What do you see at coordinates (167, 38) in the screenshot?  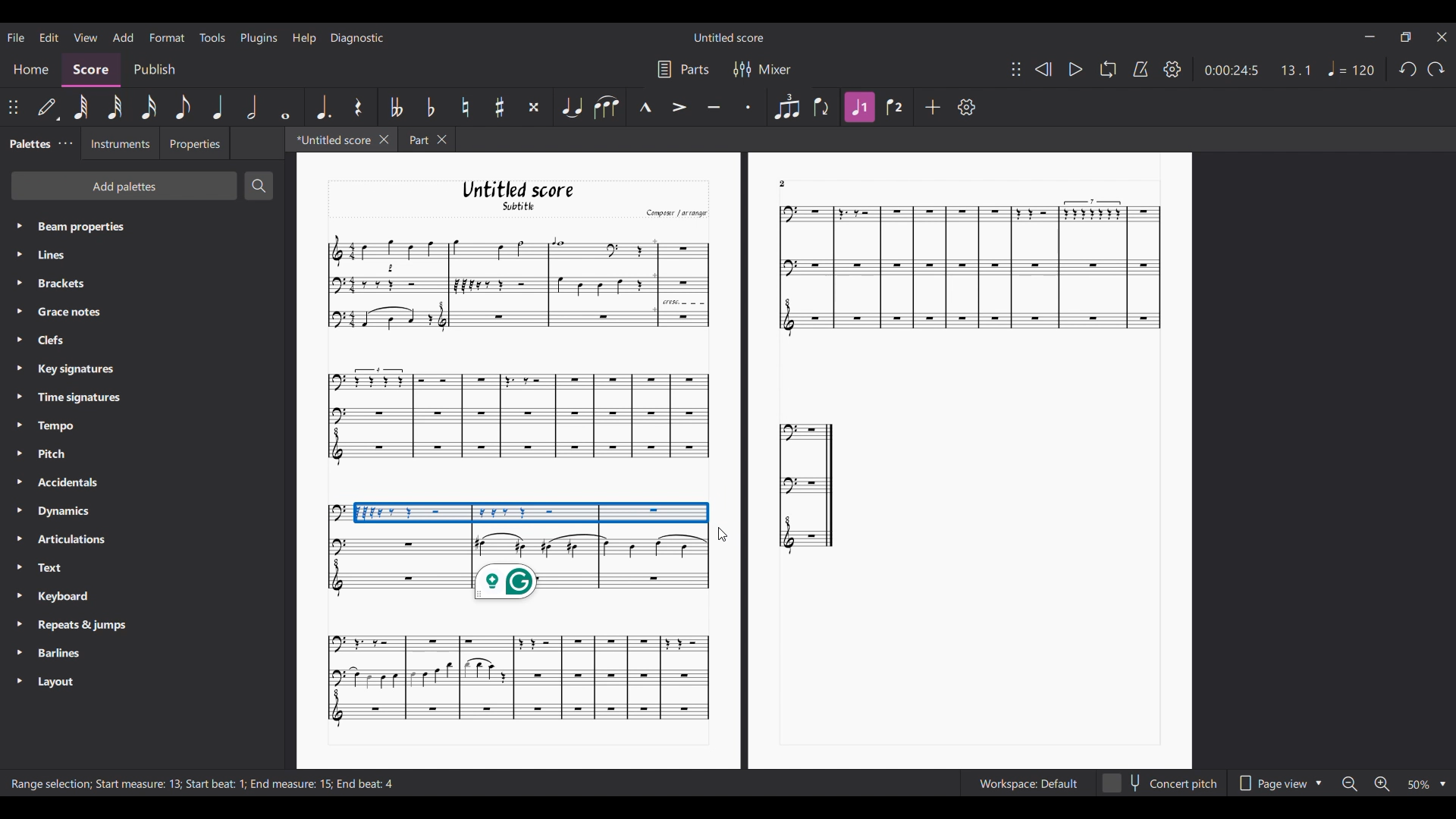 I see `Format menu` at bounding box center [167, 38].